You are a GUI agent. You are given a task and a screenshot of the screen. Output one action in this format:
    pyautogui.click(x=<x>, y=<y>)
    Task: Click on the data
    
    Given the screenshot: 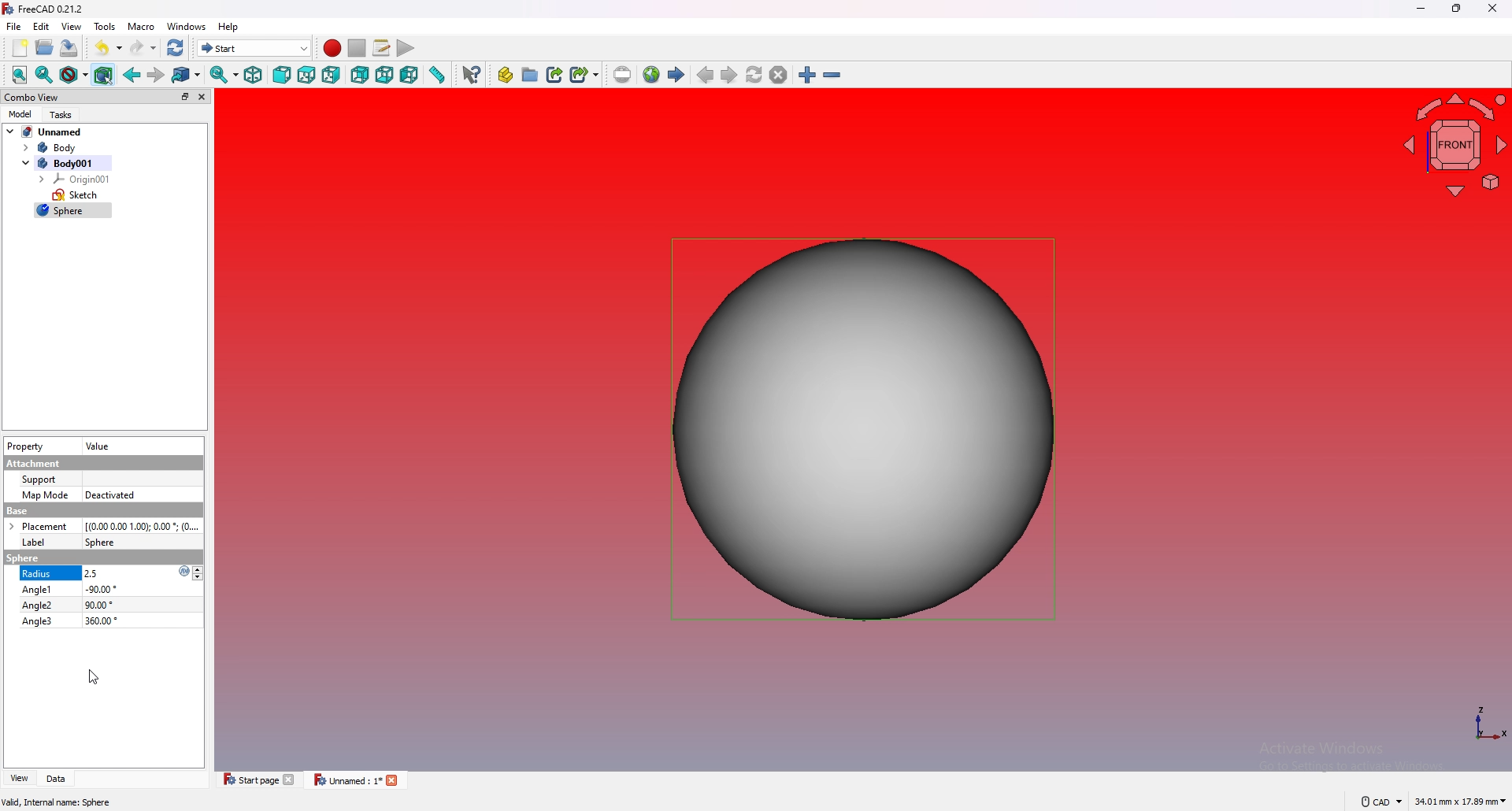 What is the action you would take?
    pyautogui.click(x=55, y=779)
    